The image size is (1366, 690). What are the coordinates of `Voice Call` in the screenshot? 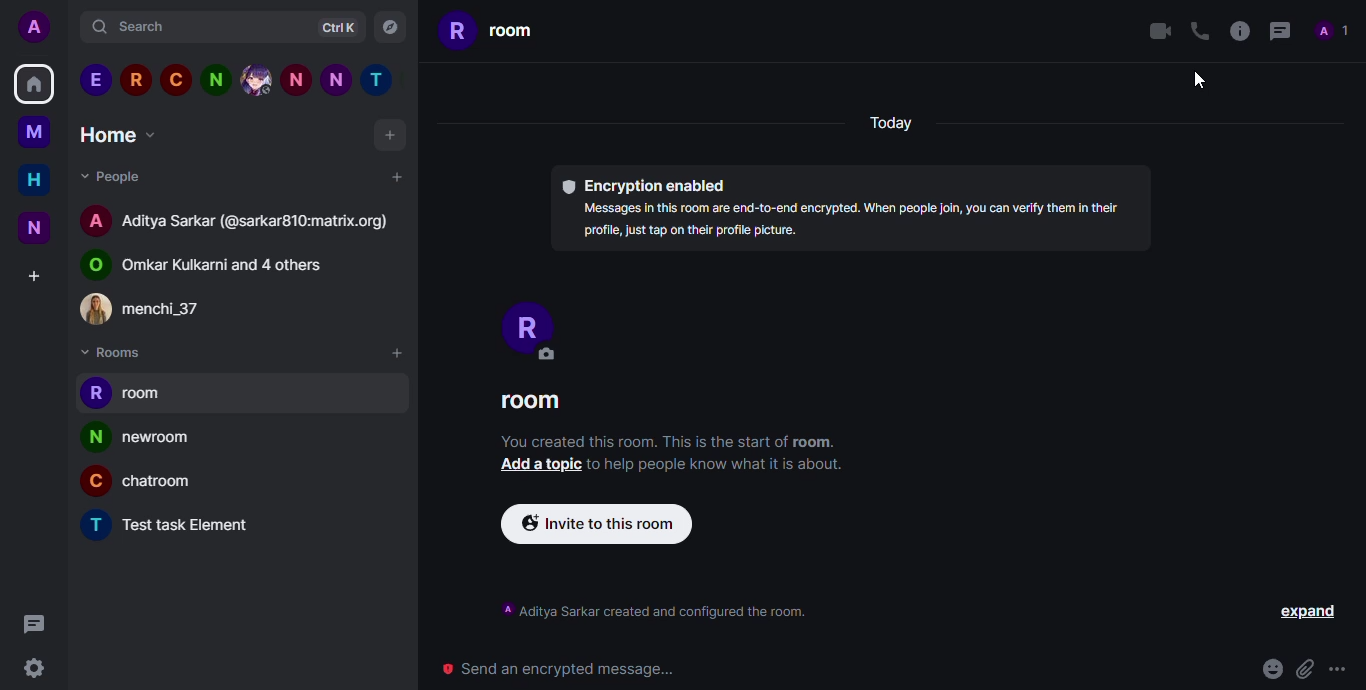 It's located at (1202, 30).